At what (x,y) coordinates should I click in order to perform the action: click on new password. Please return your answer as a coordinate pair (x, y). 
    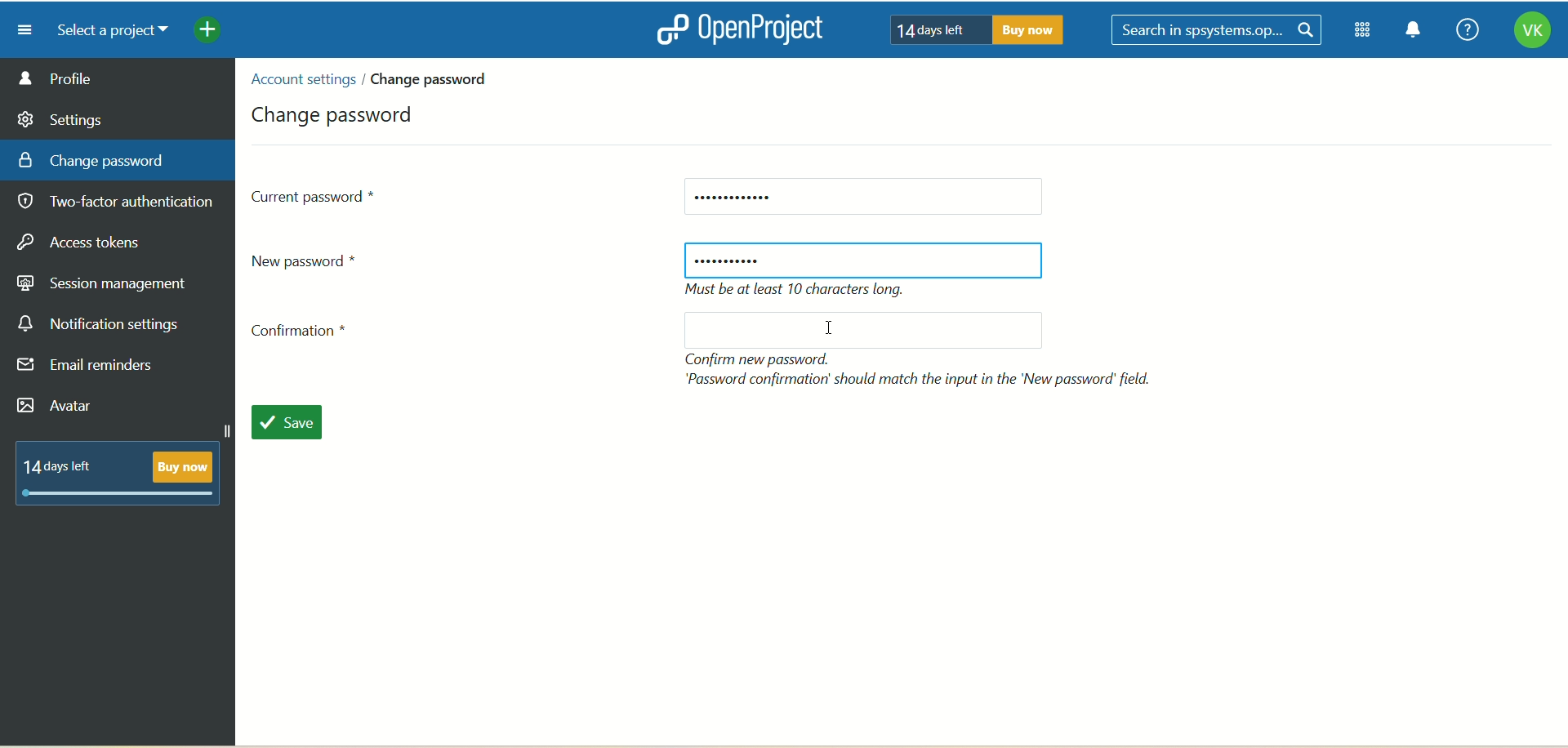
    Looking at the image, I should click on (864, 260).